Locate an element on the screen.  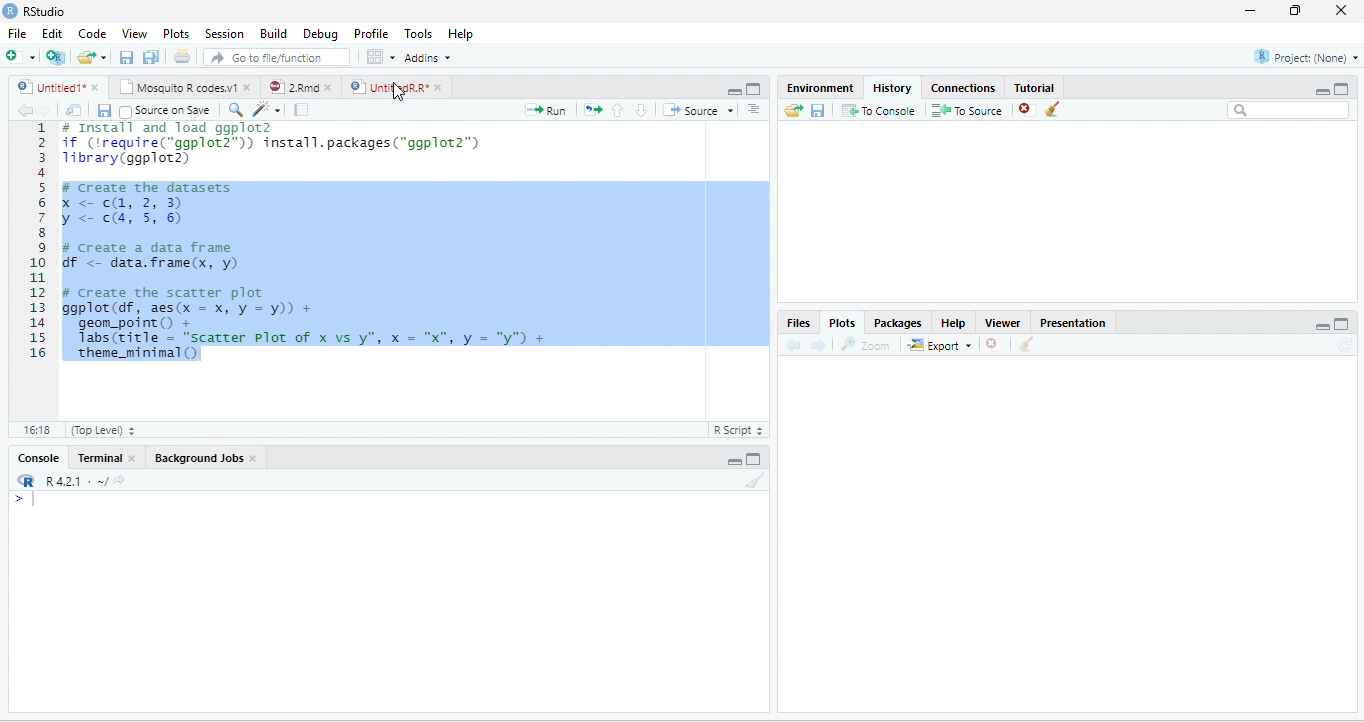
Refresh current plot is located at coordinates (1344, 344).